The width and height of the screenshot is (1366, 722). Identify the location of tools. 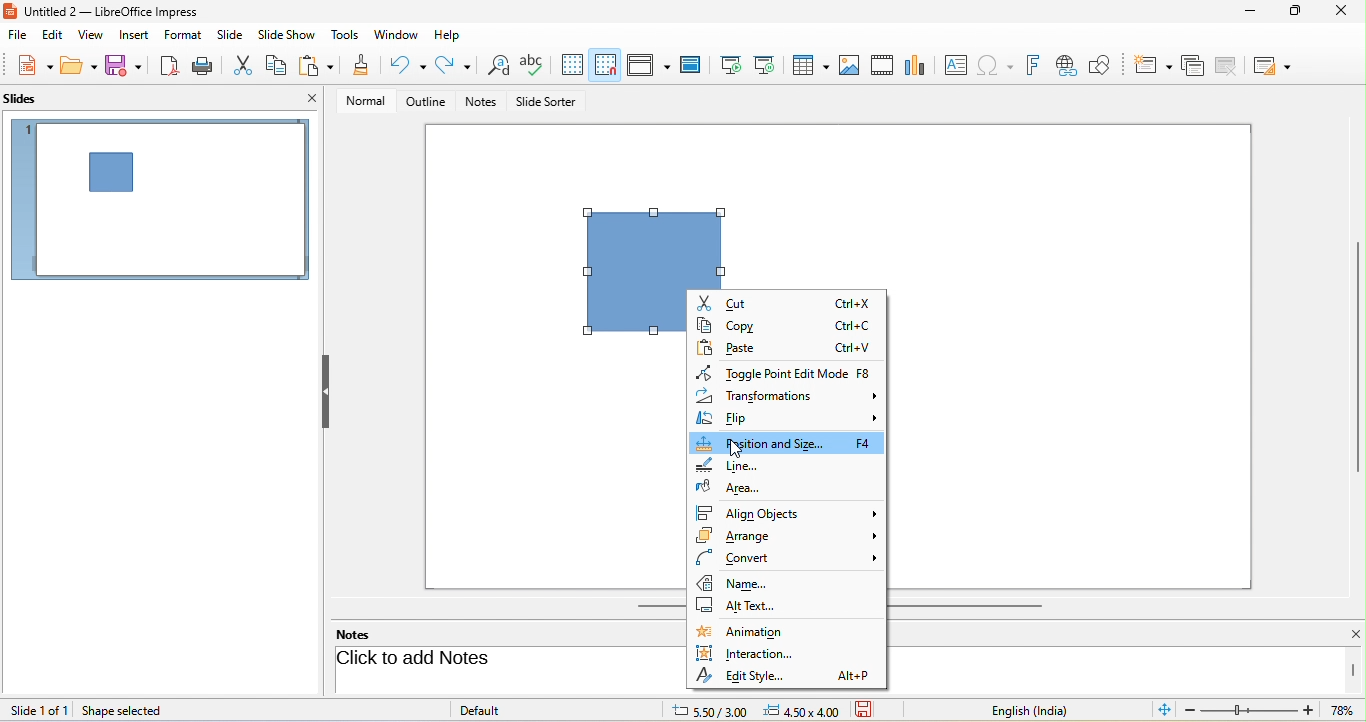
(346, 36).